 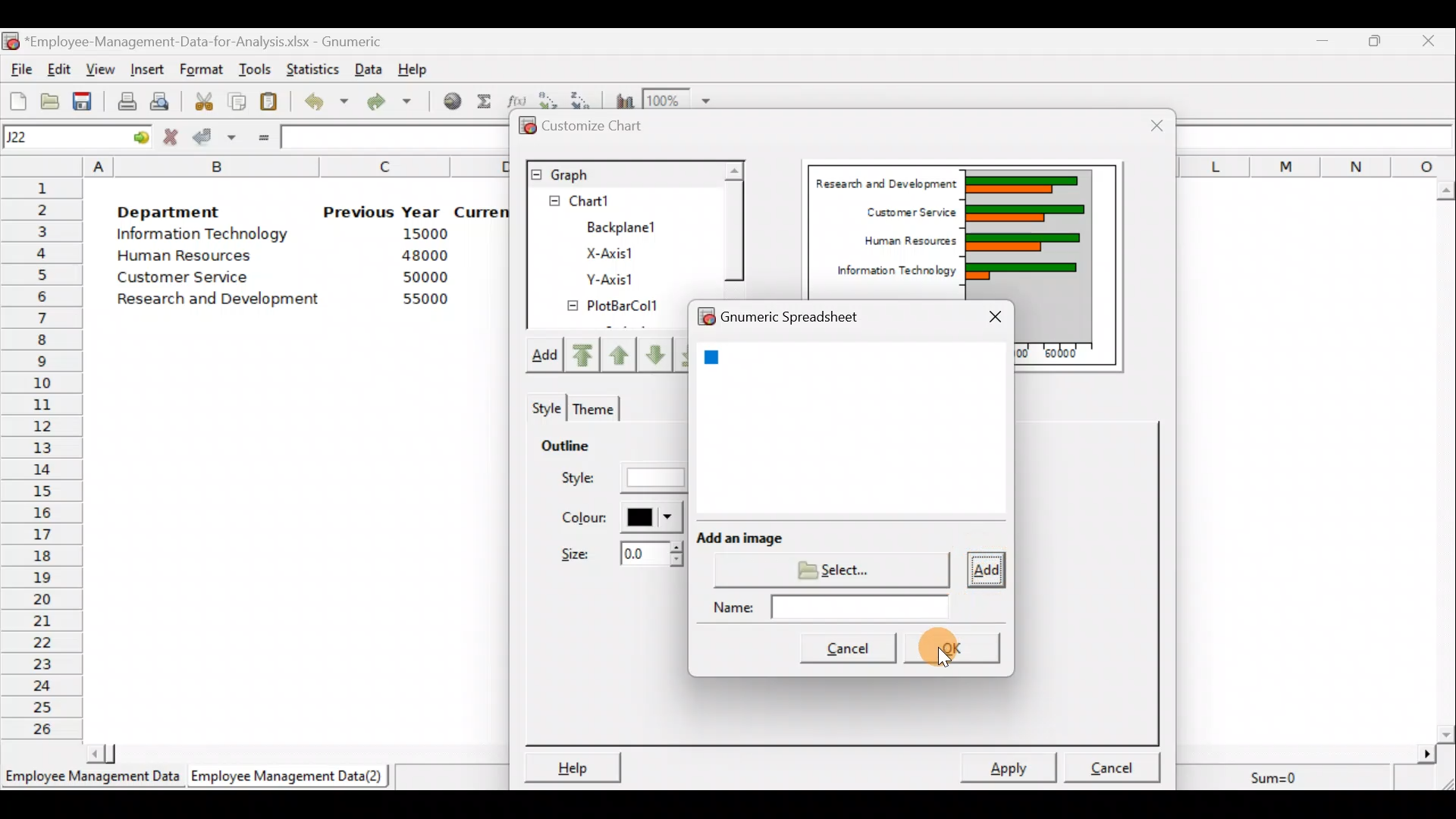 I want to click on Close, so click(x=992, y=316).